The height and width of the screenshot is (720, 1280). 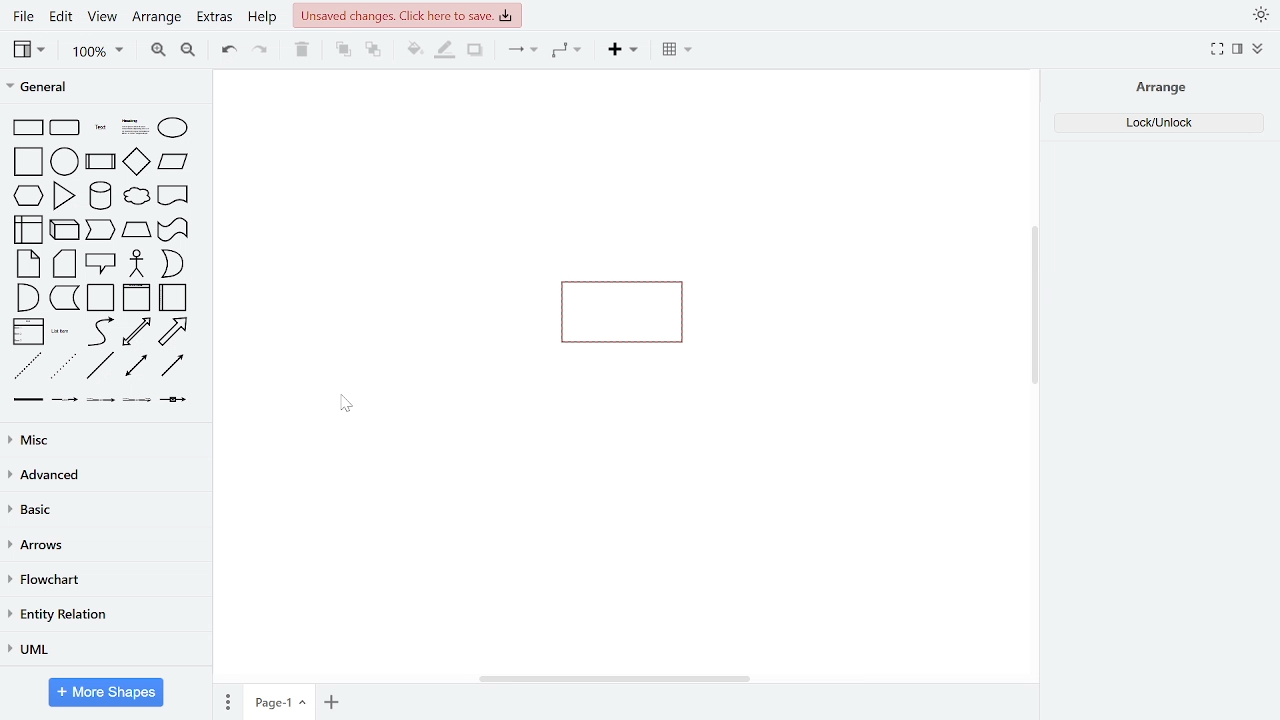 What do you see at coordinates (215, 19) in the screenshot?
I see `extras` at bounding box center [215, 19].